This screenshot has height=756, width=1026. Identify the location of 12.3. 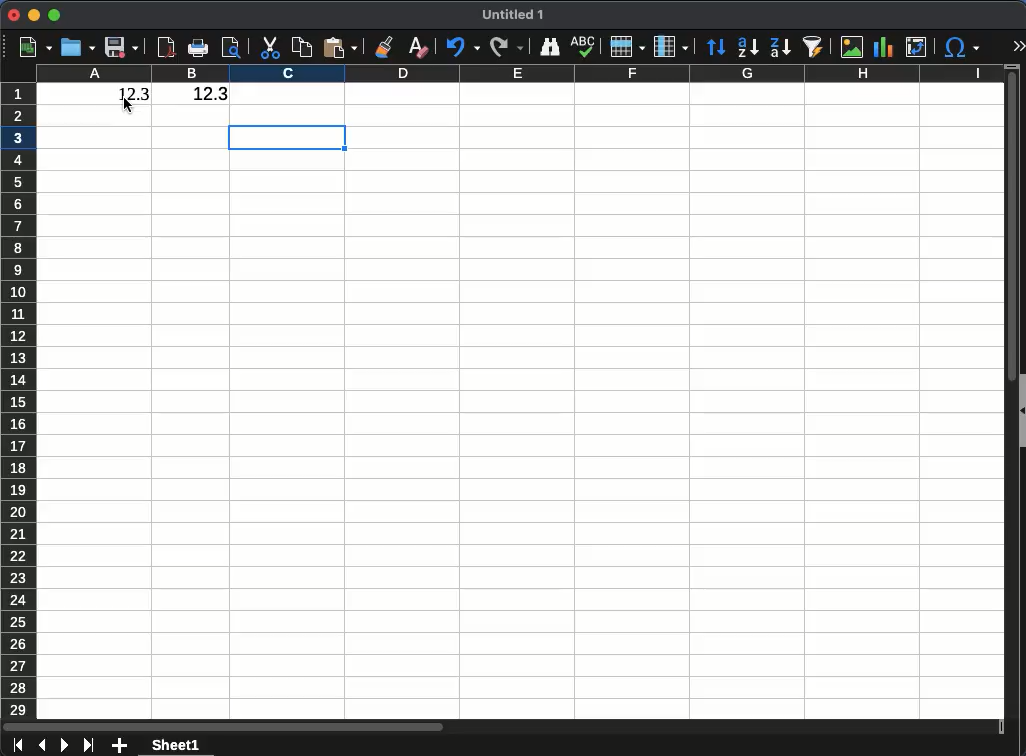
(195, 94).